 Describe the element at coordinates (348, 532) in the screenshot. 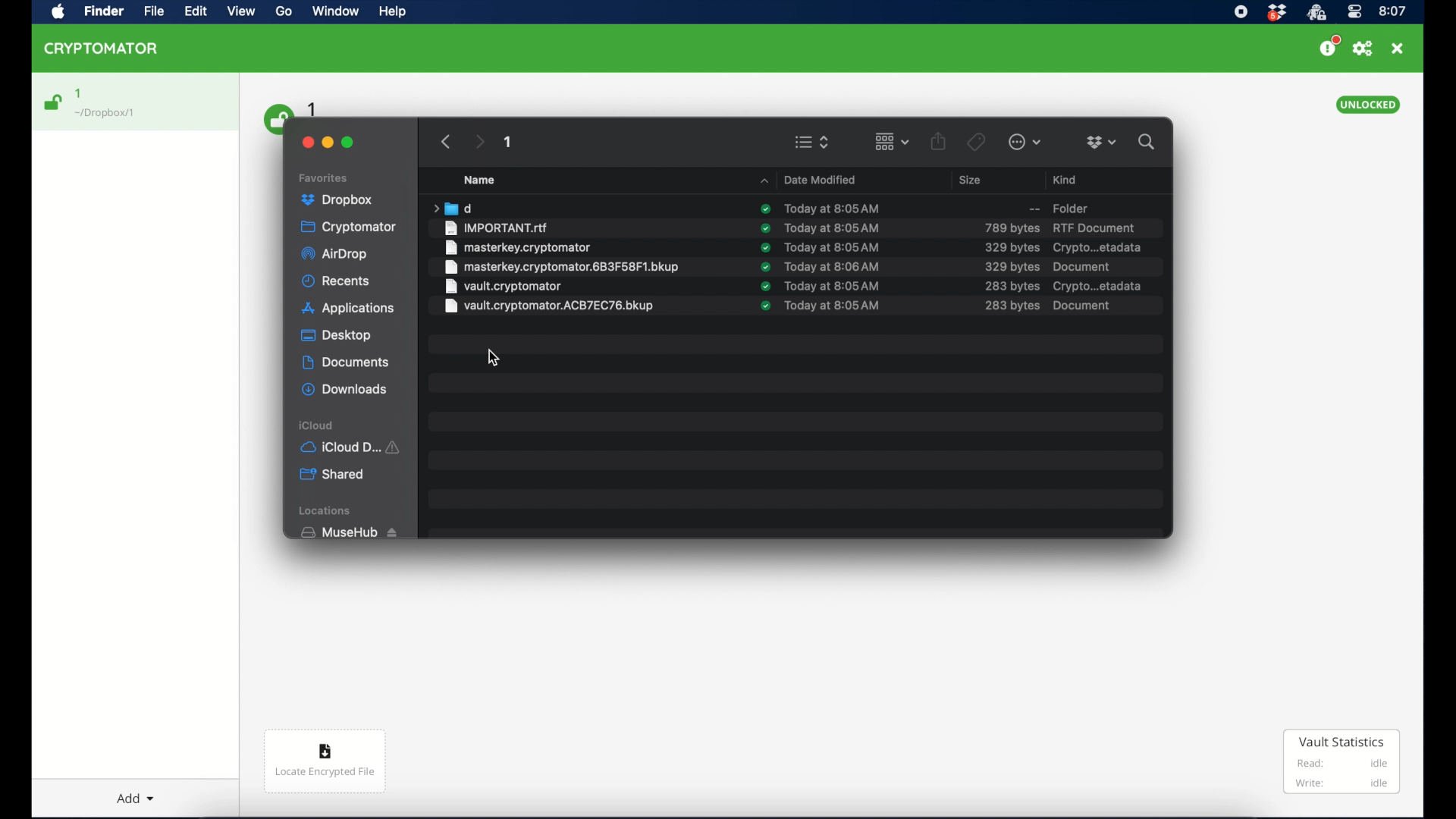

I see `musehub` at that location.